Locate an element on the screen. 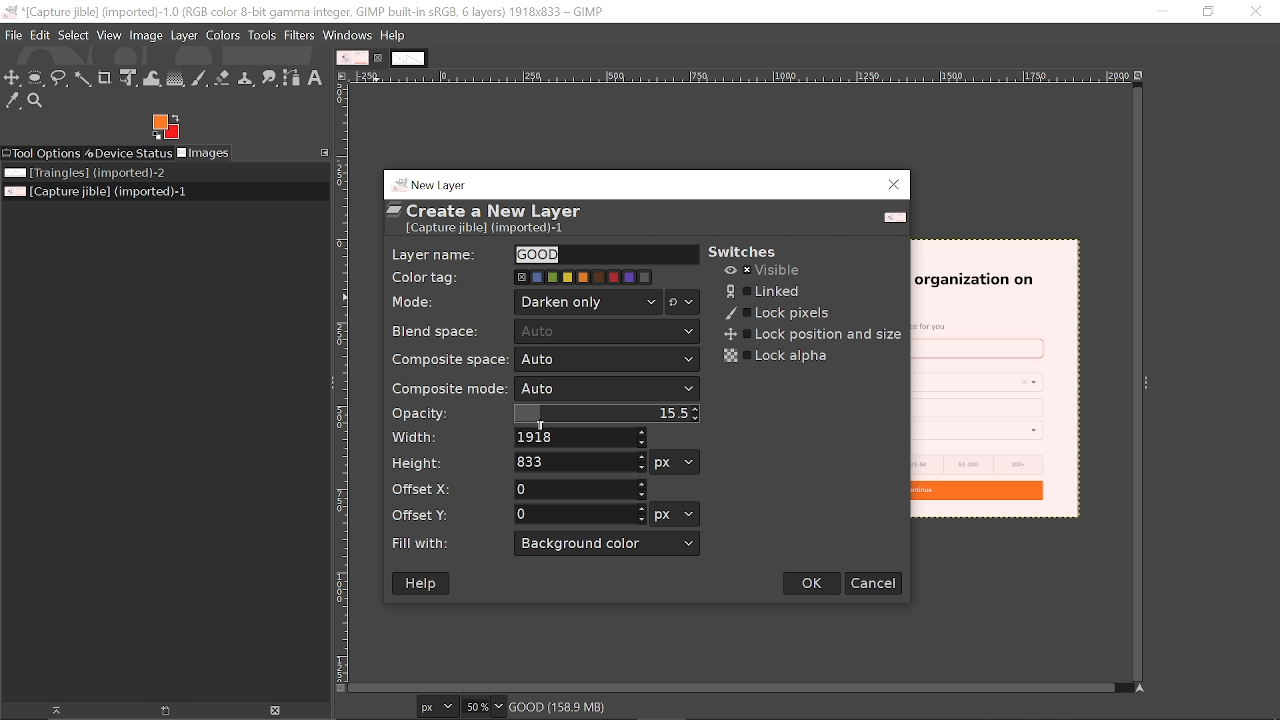 This screenshot has height=720, width=1280. minimize is located at coordinates (1155, 11).